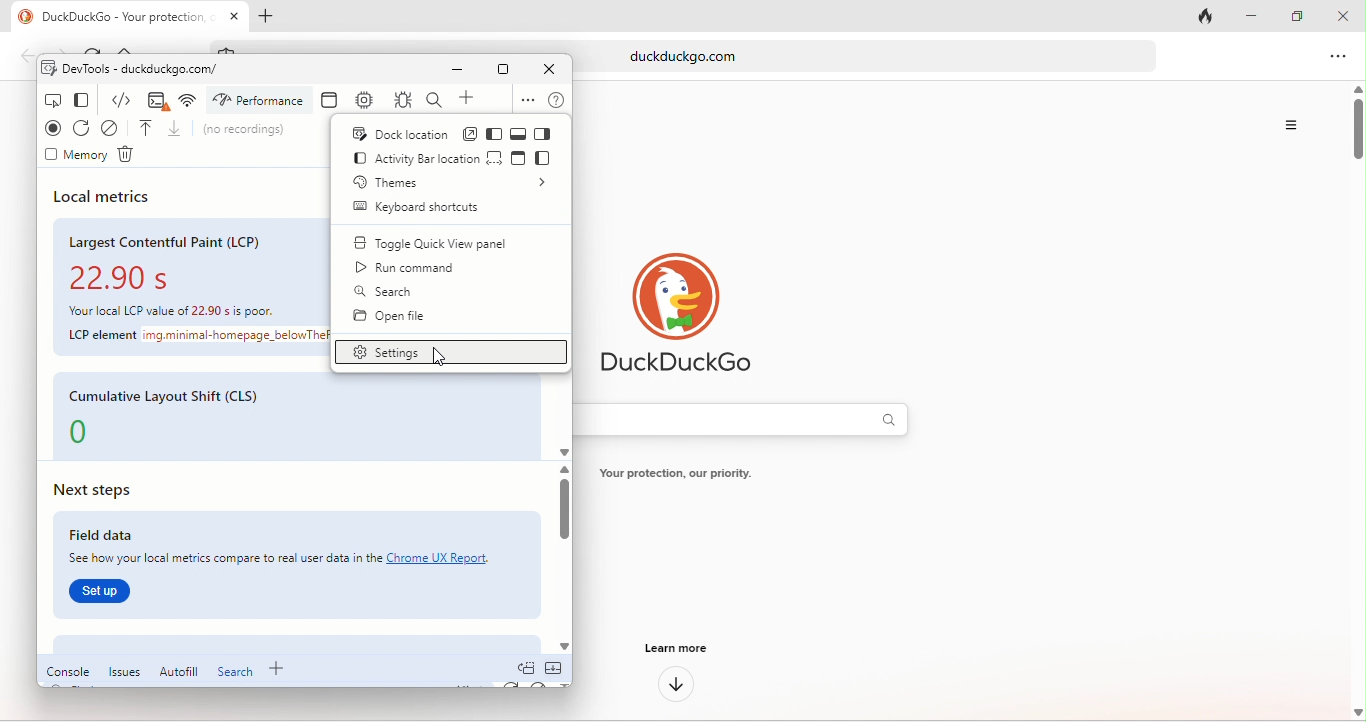 The height and width of the screenshot is (722, 1366). I want to click on scroll down, so click(563, 452).